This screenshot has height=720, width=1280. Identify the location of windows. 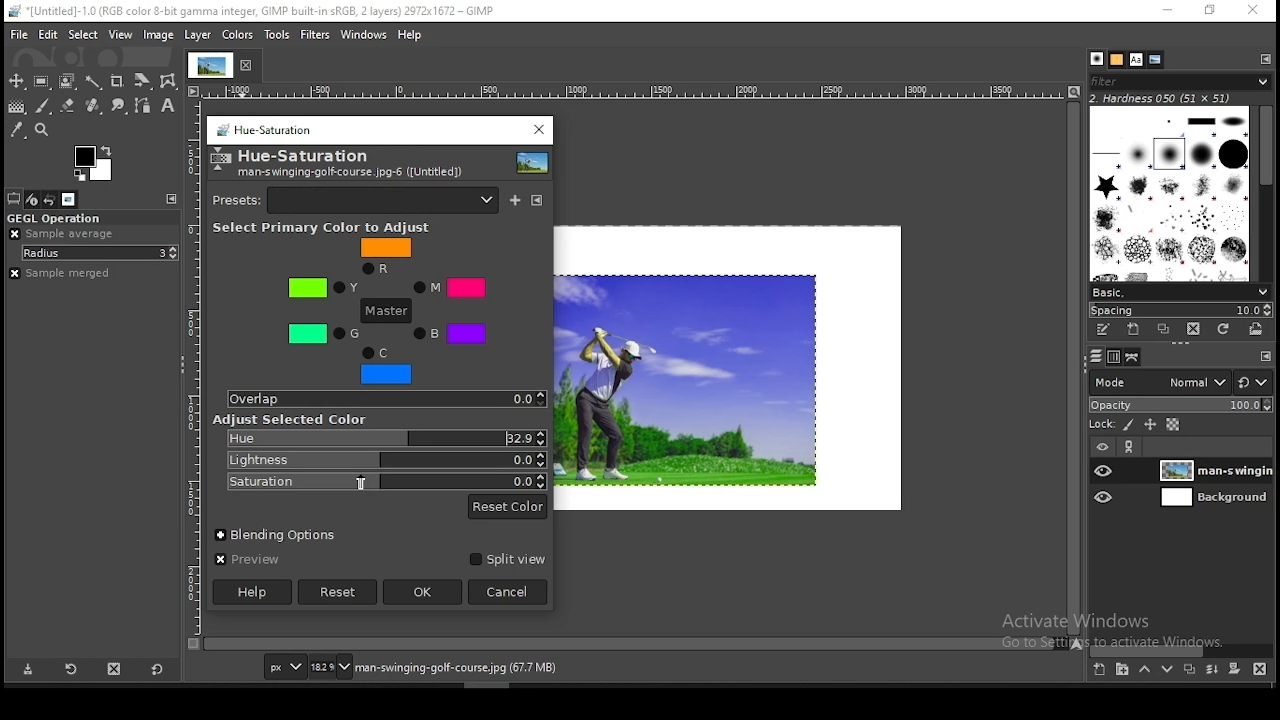
(364, 35).